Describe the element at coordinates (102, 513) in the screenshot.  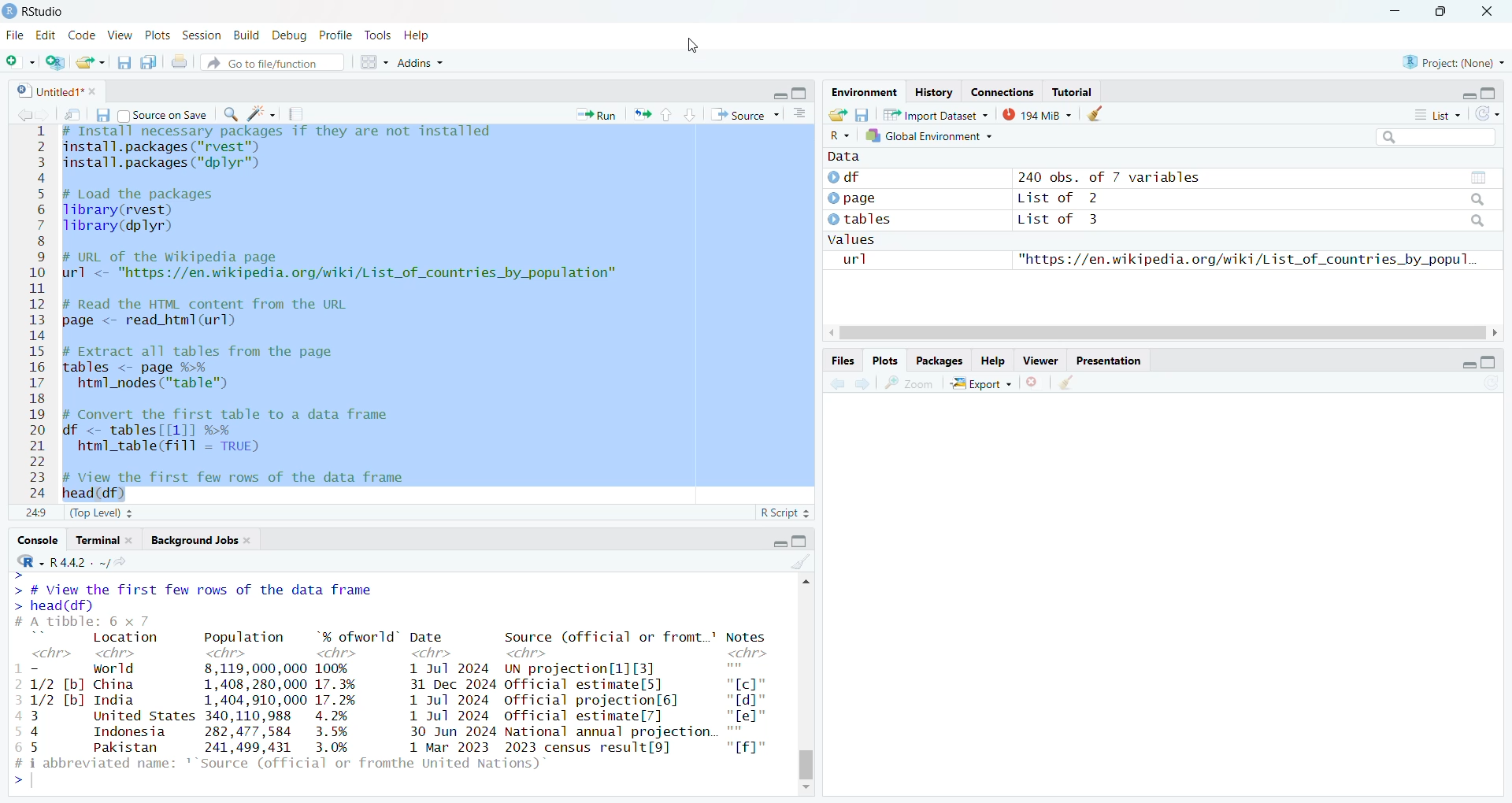
I see `(Top level)` at that location.